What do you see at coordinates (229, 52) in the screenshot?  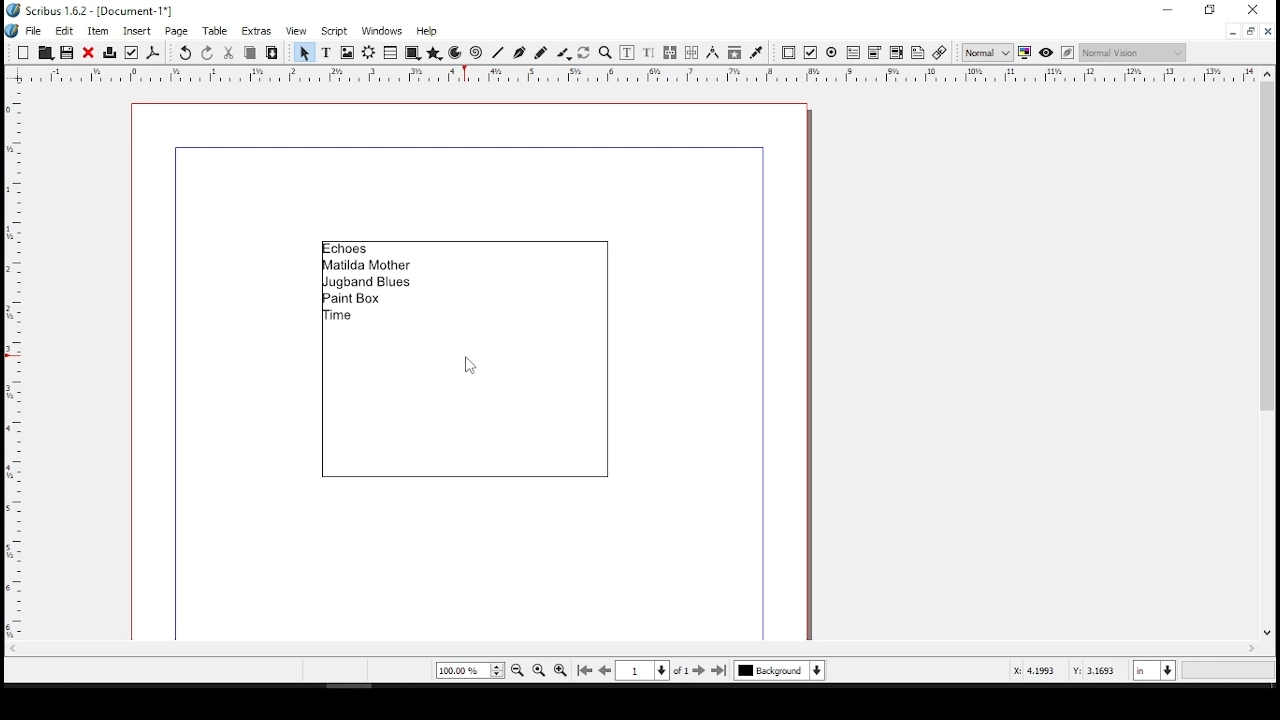 I see `cut` at bounding box center [229, 52].